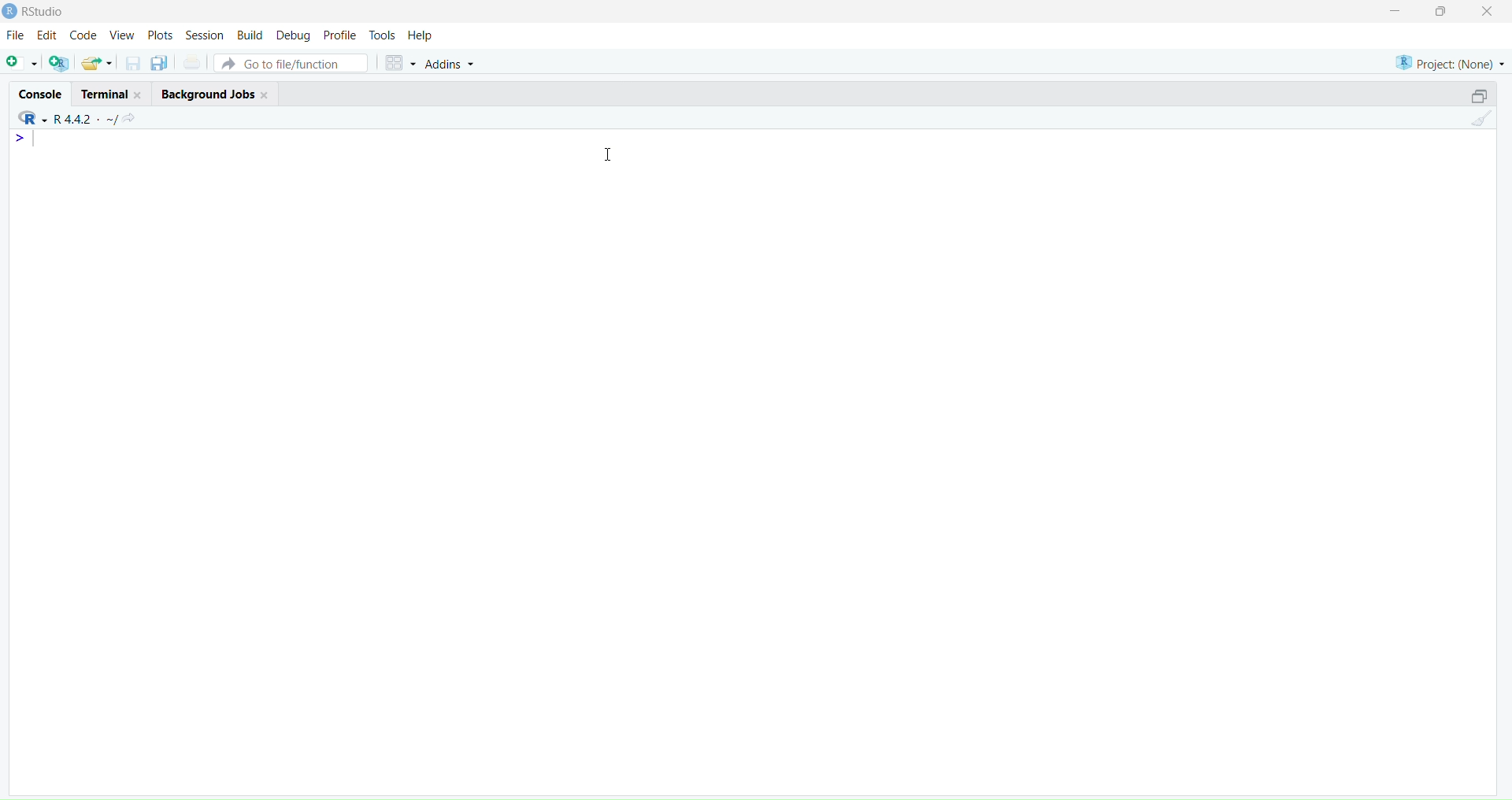 The width and height of the screenshot is (1512, 800). Describe the element at coordinates (1493, 12) in the screenshot. I see `close` at that location.